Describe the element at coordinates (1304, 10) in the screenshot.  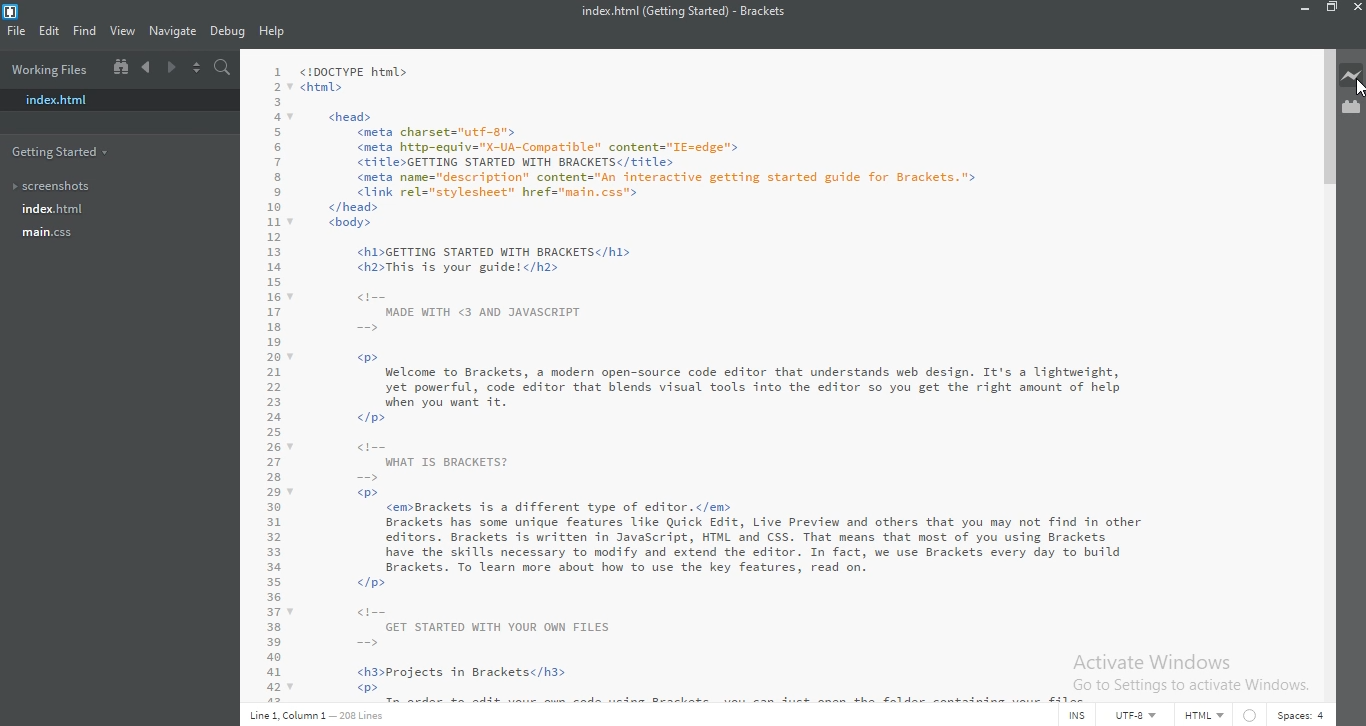
I see `minimise` at that location.